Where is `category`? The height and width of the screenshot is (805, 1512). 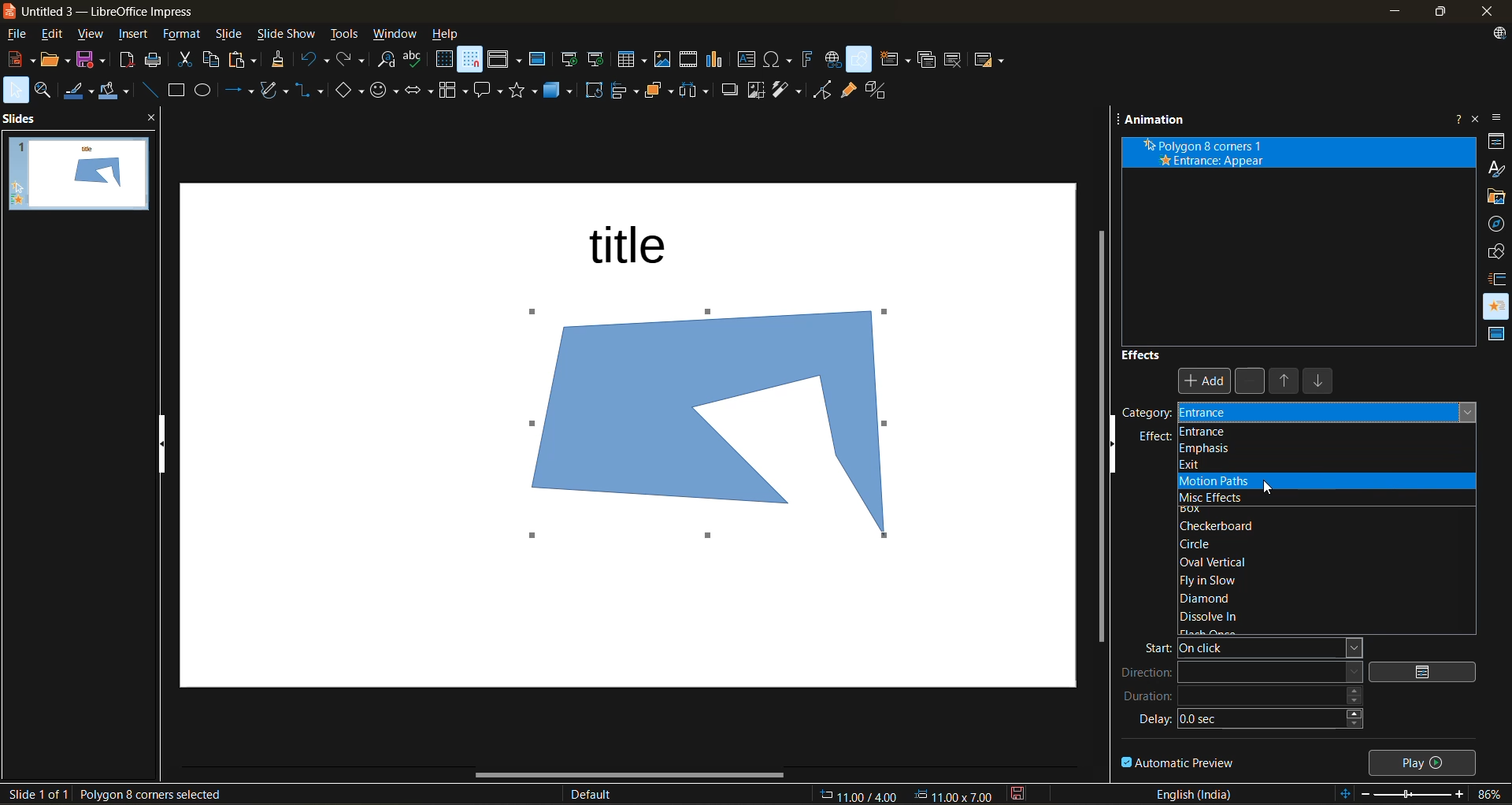
category is located at coordinates (1144, 417).